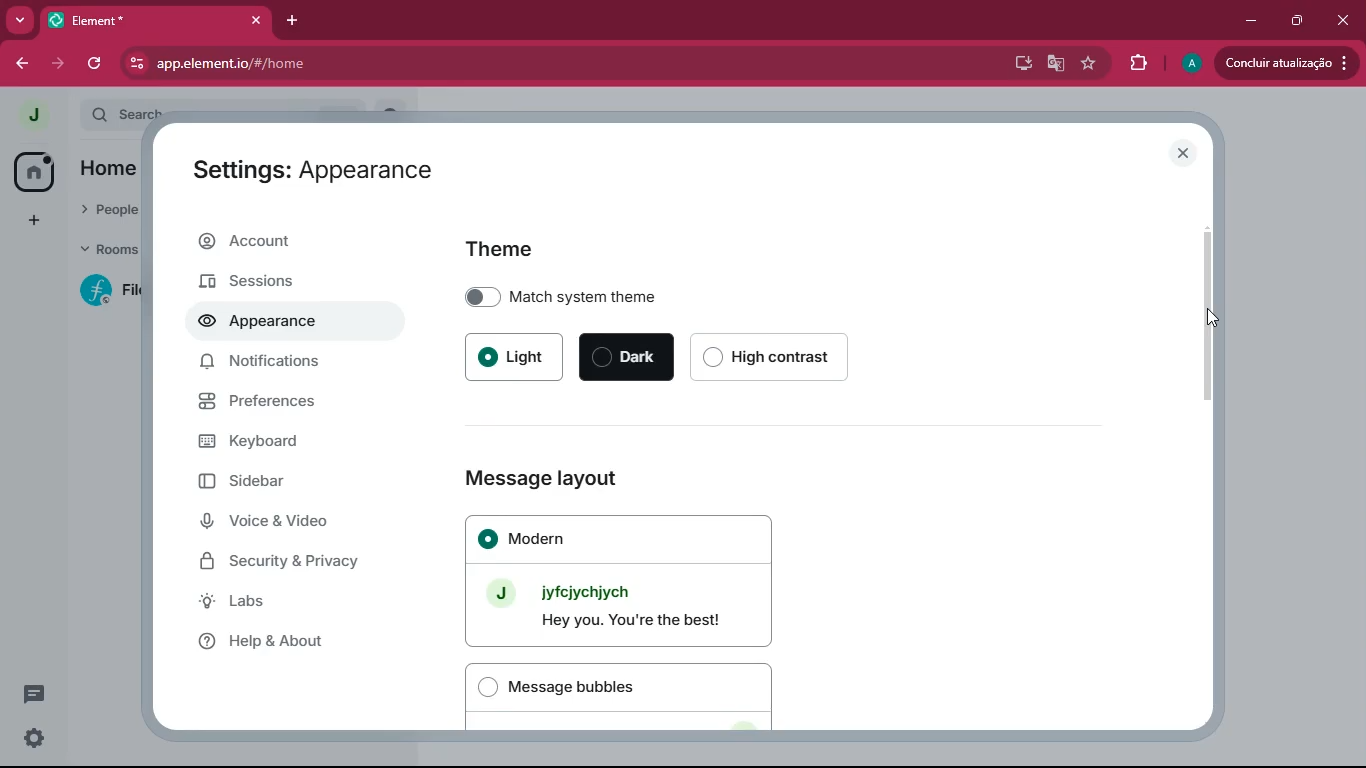 The height and width of the screenshot is (768, 1366). What do you see at coordinates (619, 580) in the screenshot?
I see `modern` at bounding box center [619, 580].